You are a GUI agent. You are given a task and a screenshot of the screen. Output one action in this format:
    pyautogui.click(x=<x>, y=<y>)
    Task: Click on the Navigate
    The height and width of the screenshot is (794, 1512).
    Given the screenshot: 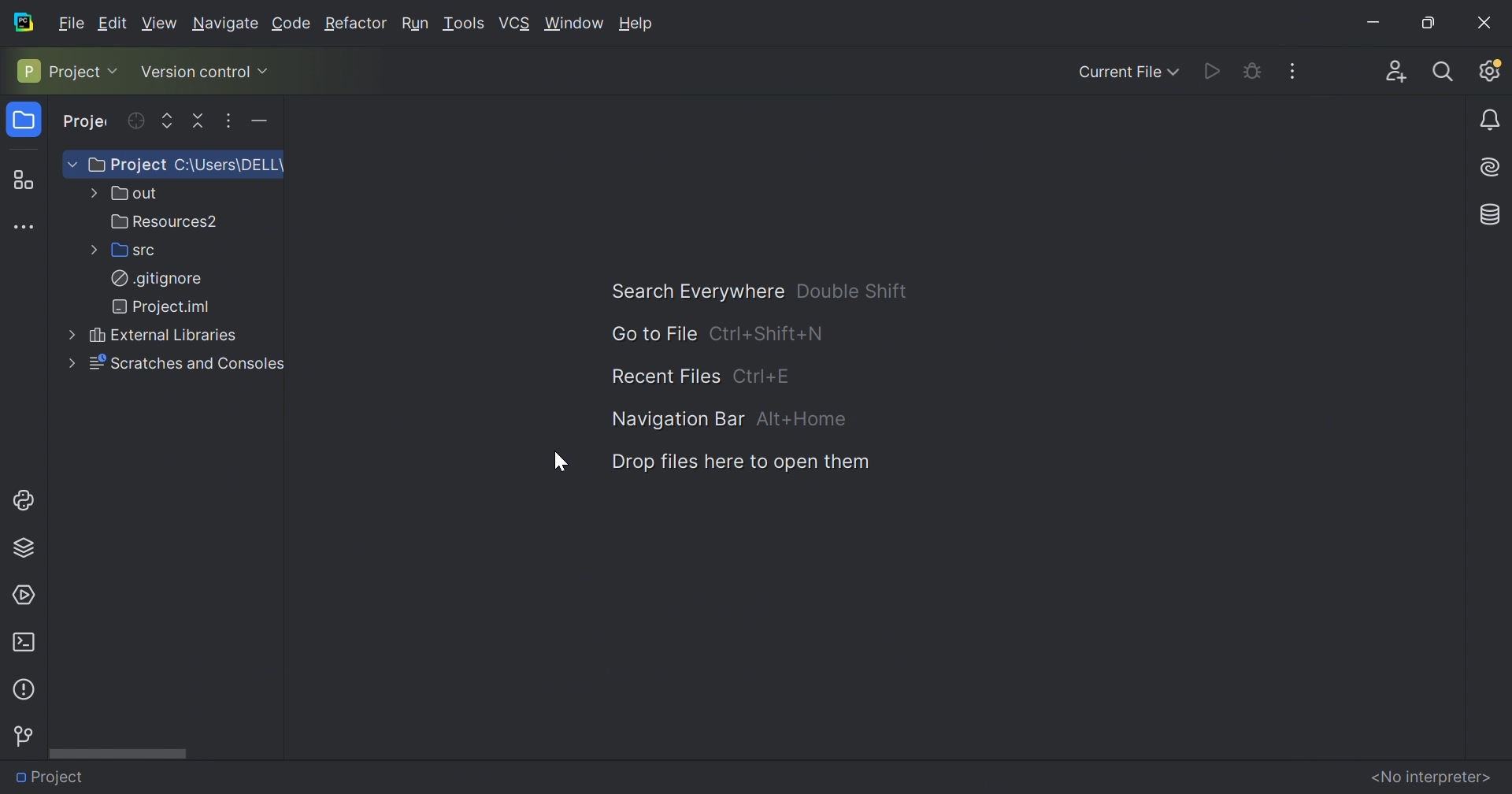 What is the action you would take?
    pyautogui.click(x=225, y=24)
    